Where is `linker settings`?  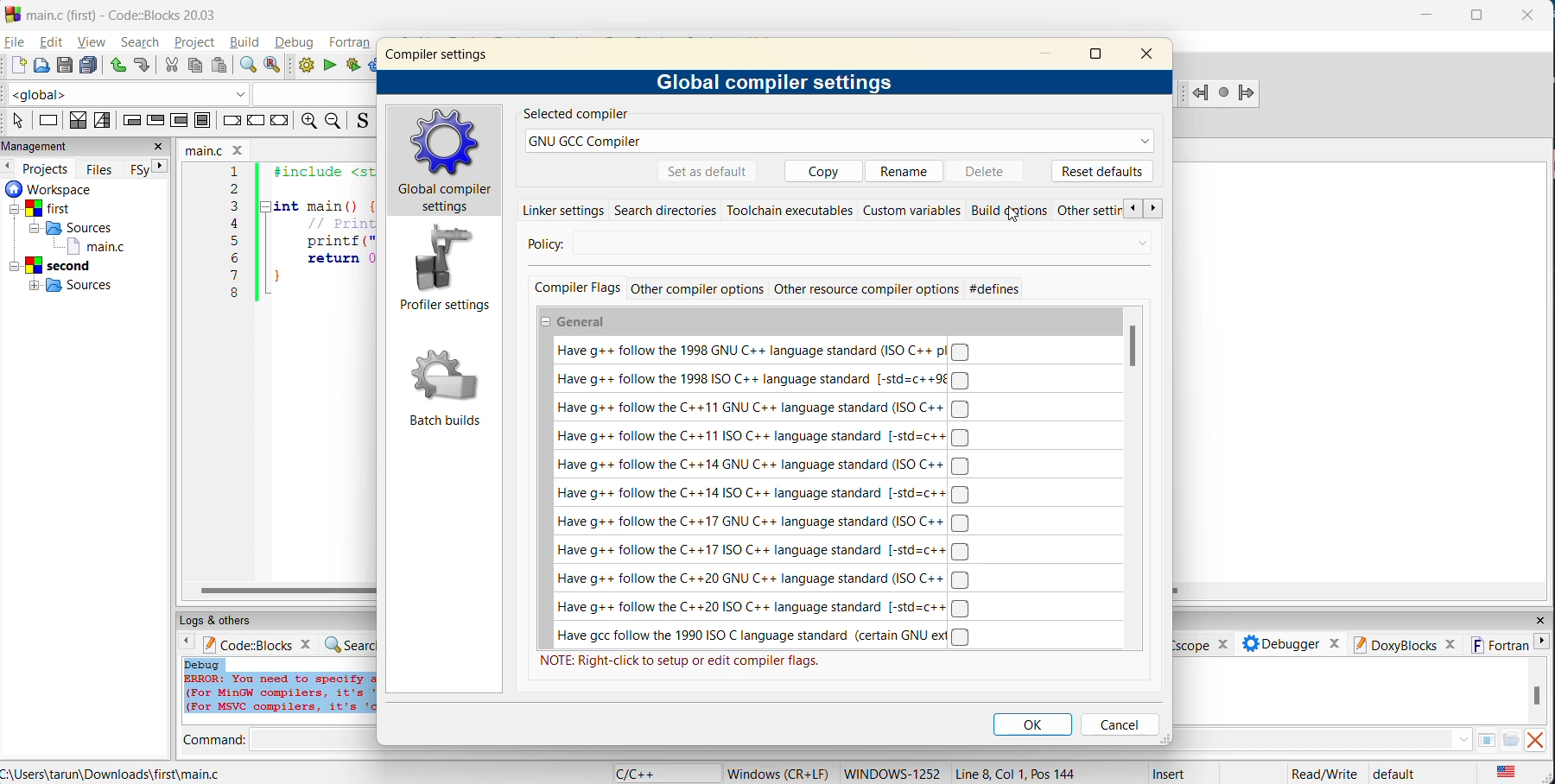
linker settings is located at coordinates (559, 210).